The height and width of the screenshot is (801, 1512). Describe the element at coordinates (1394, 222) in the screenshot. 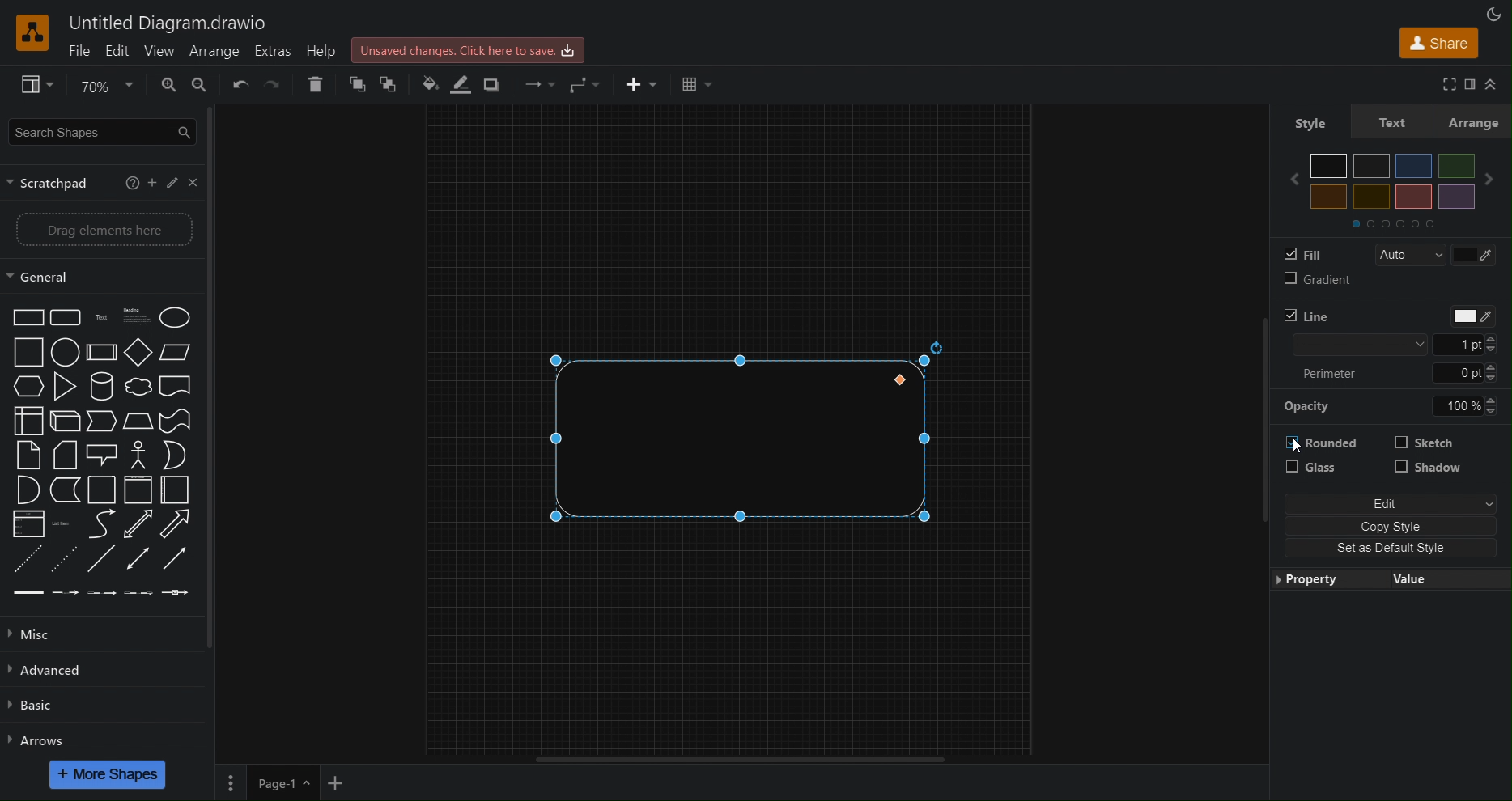

I see `slider dots` at that location.